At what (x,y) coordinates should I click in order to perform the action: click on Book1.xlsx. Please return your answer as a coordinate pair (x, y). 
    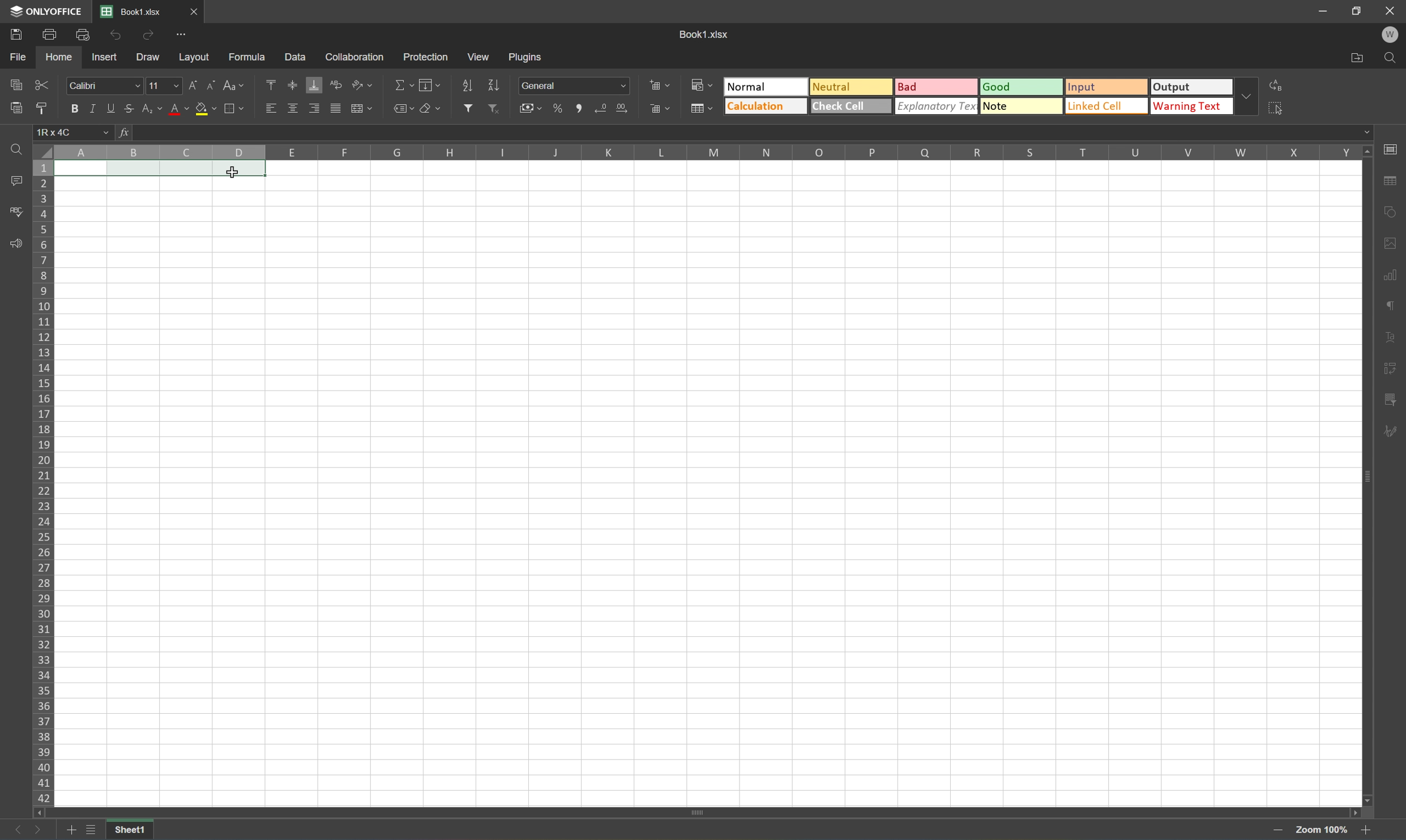
    Looking at the image, I should click on (706, 33).